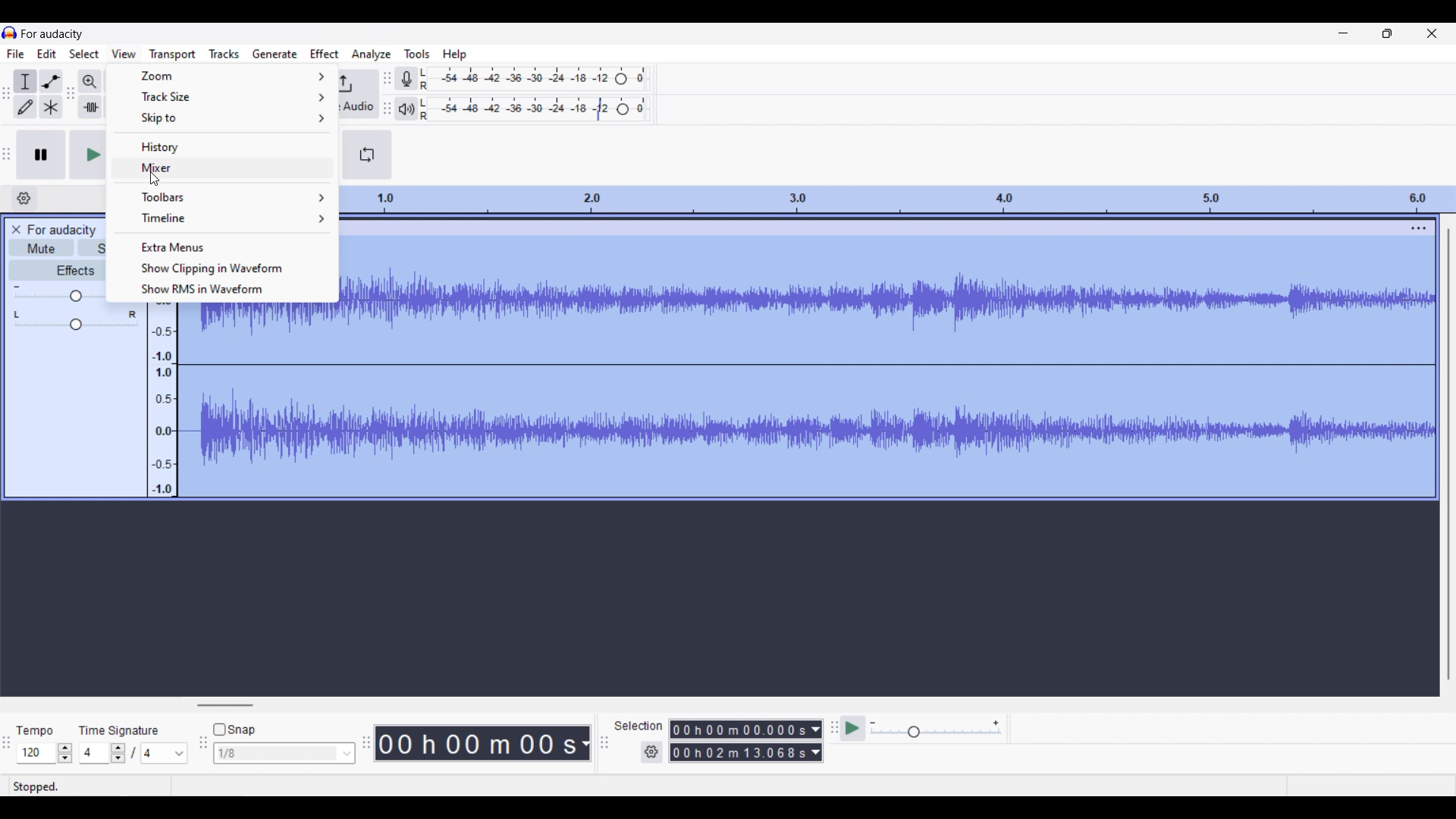 The width and height of the screenshot is (1456, 819). What do you see at coordinates (1388, 33) in the screenshot?
I see `Show in smaller tab` at bounding box center [1388, 33].